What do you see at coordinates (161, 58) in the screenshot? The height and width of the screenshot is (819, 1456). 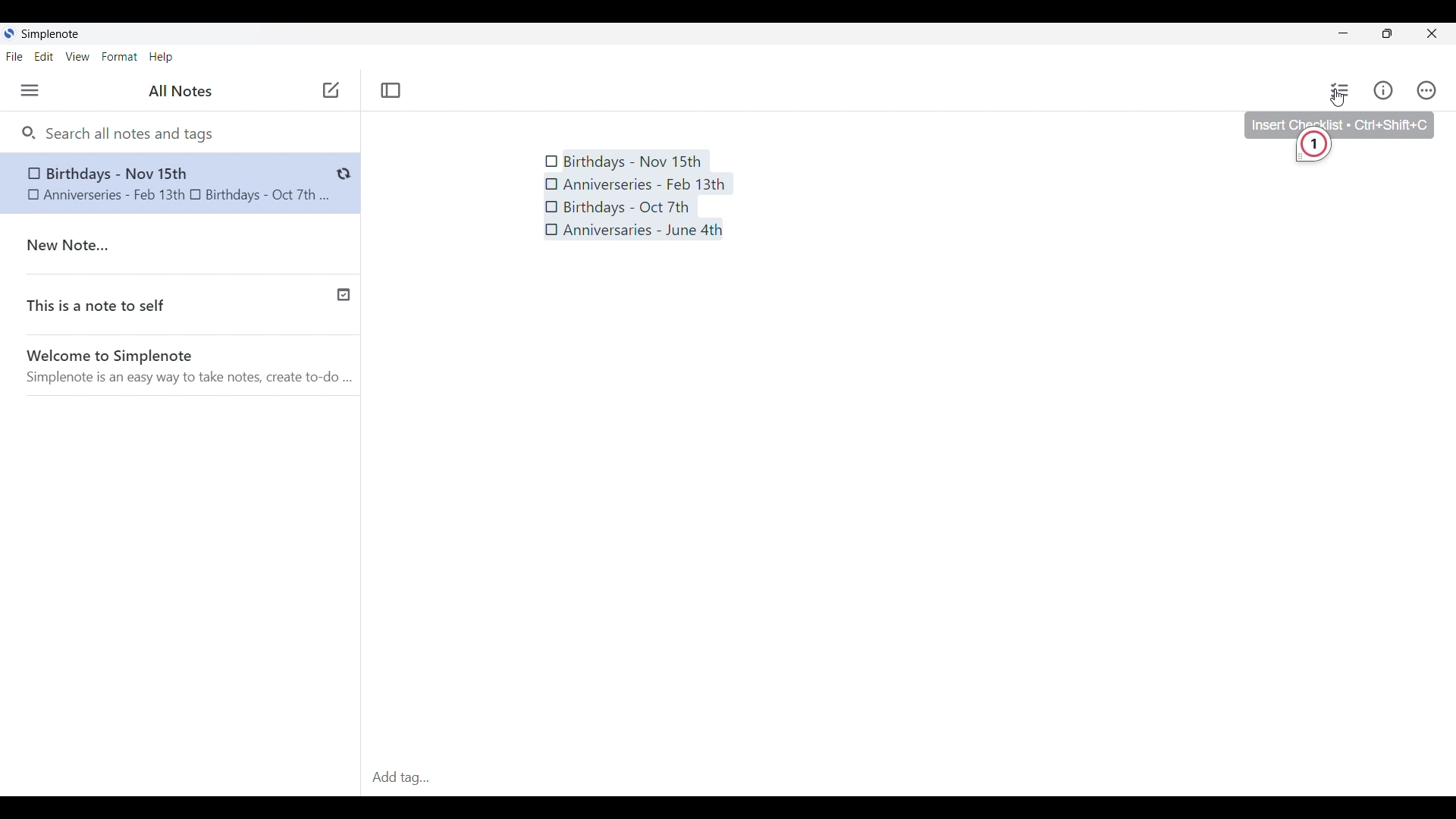 I see `Help menu` at bounding box center [161, 58].